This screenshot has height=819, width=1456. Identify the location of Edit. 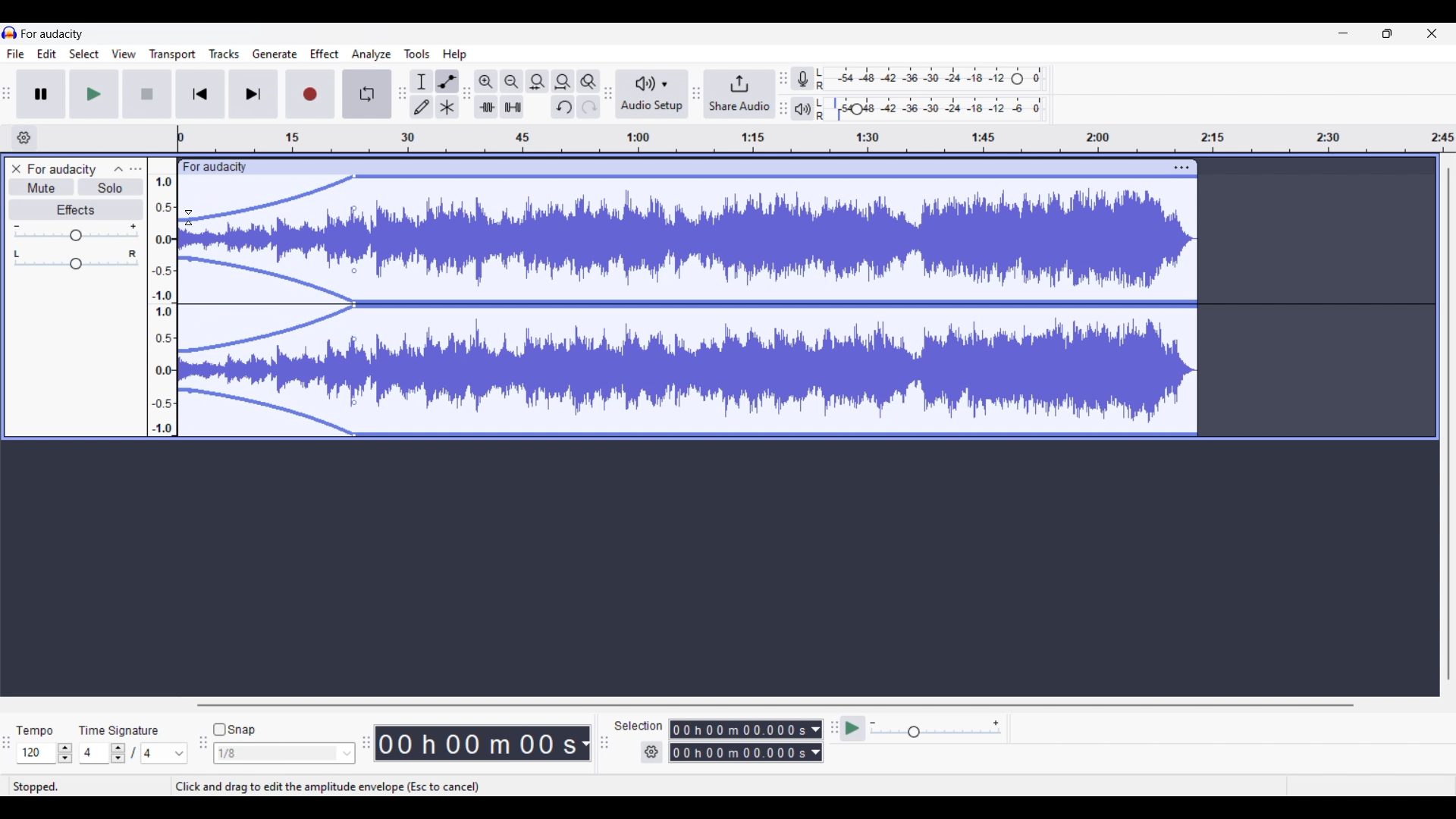
(47, 53).